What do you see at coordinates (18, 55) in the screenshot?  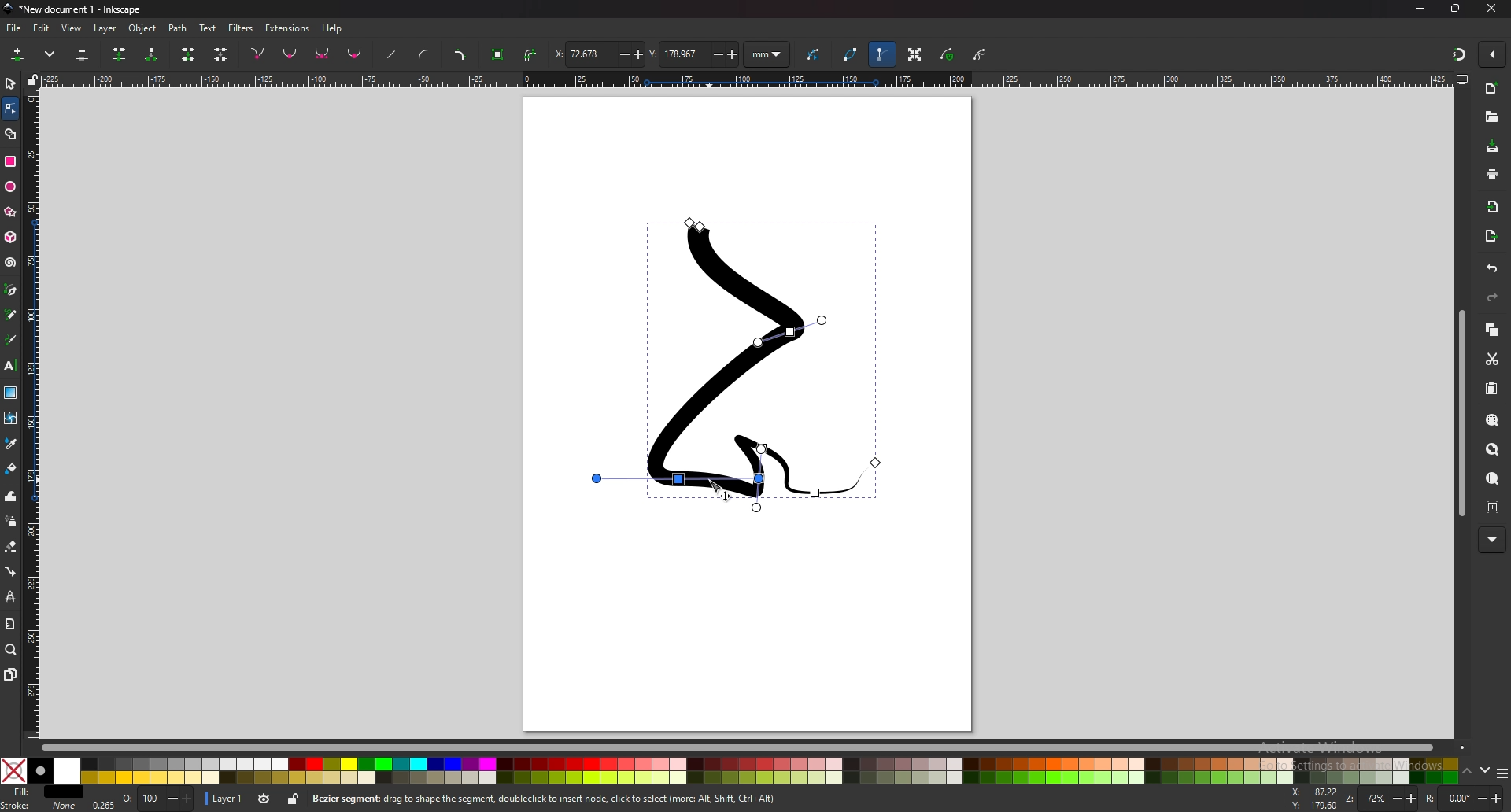 I see `insert new nodes` at bounding box center [18, 55].